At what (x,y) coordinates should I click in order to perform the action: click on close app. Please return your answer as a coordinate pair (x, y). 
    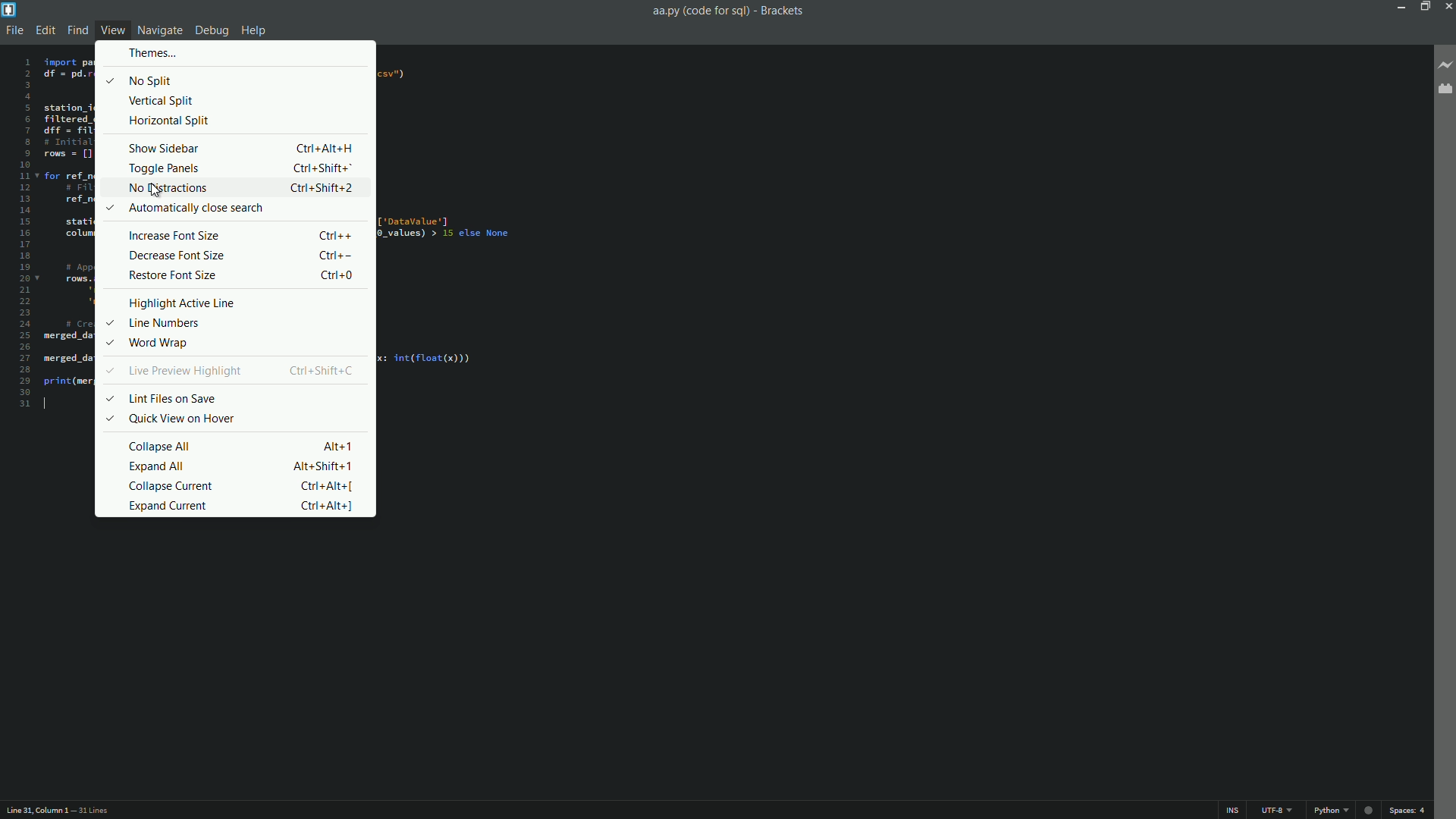
    Looking at the image, I should click on (1447, 7).